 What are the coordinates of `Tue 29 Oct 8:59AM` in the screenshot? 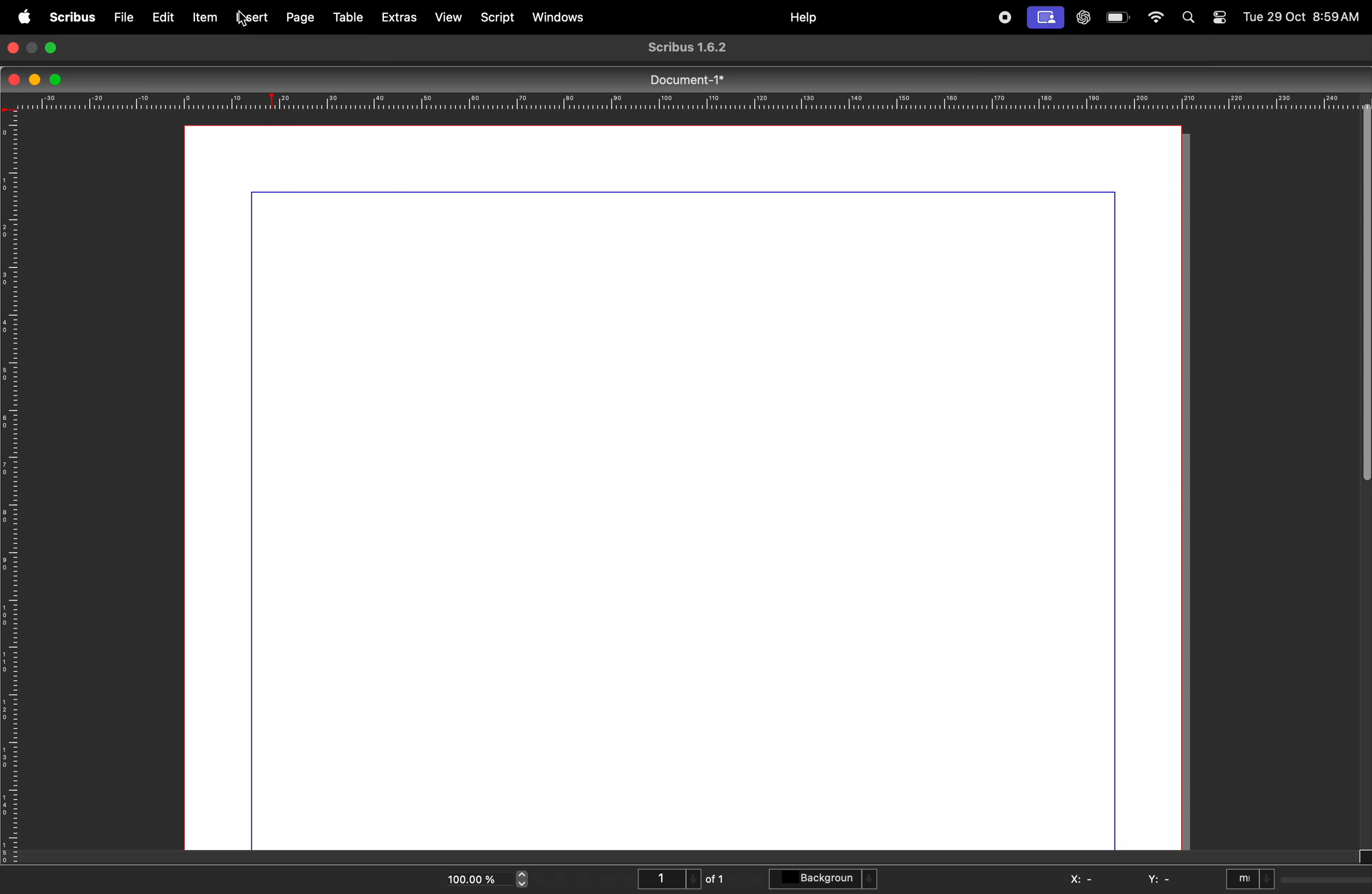 It's located at (1301, 18).